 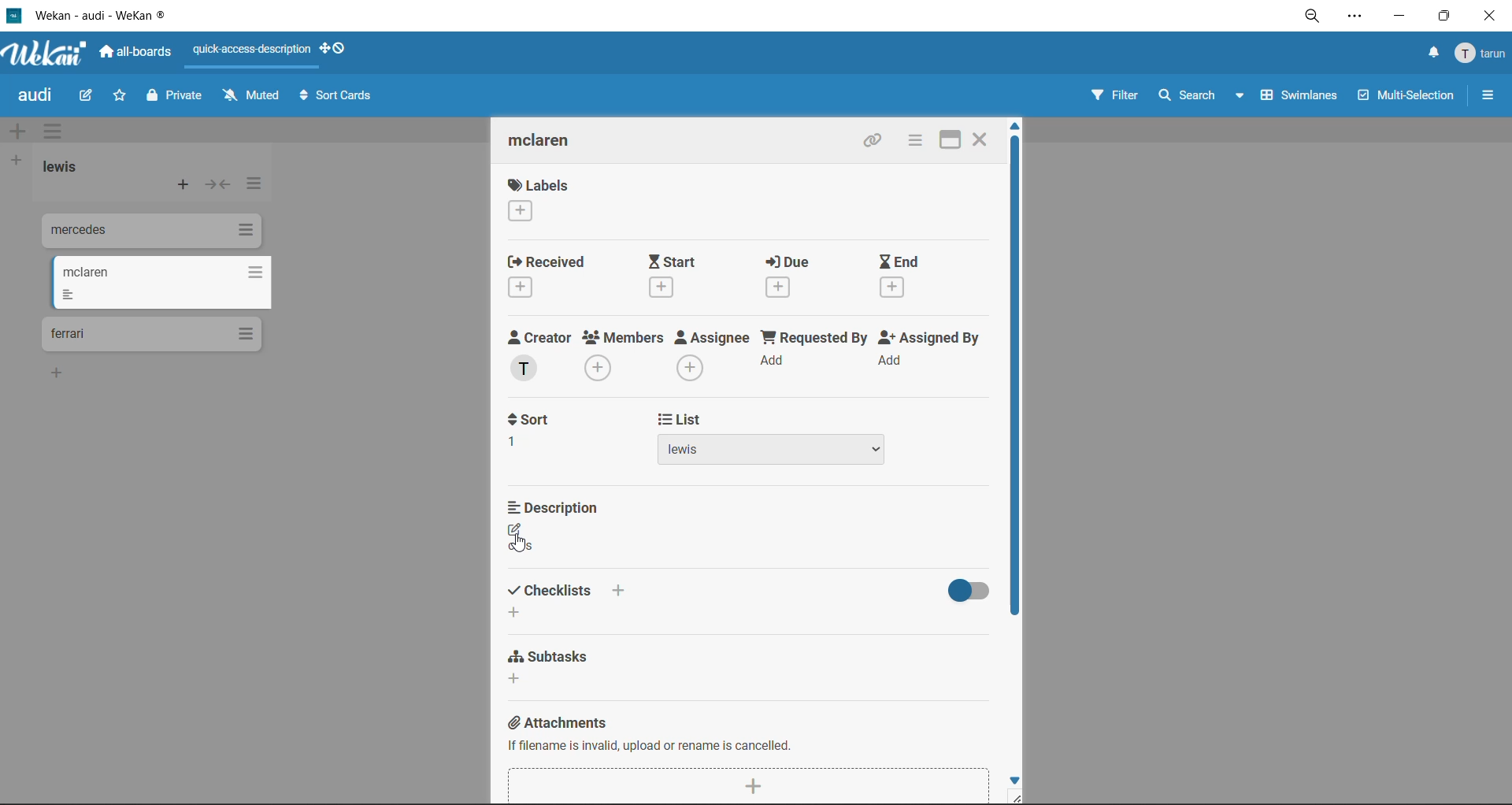 What do you see at coordinates (747, 753) in the screenshot?
I see `attachments` at bounding box center [747, 753].